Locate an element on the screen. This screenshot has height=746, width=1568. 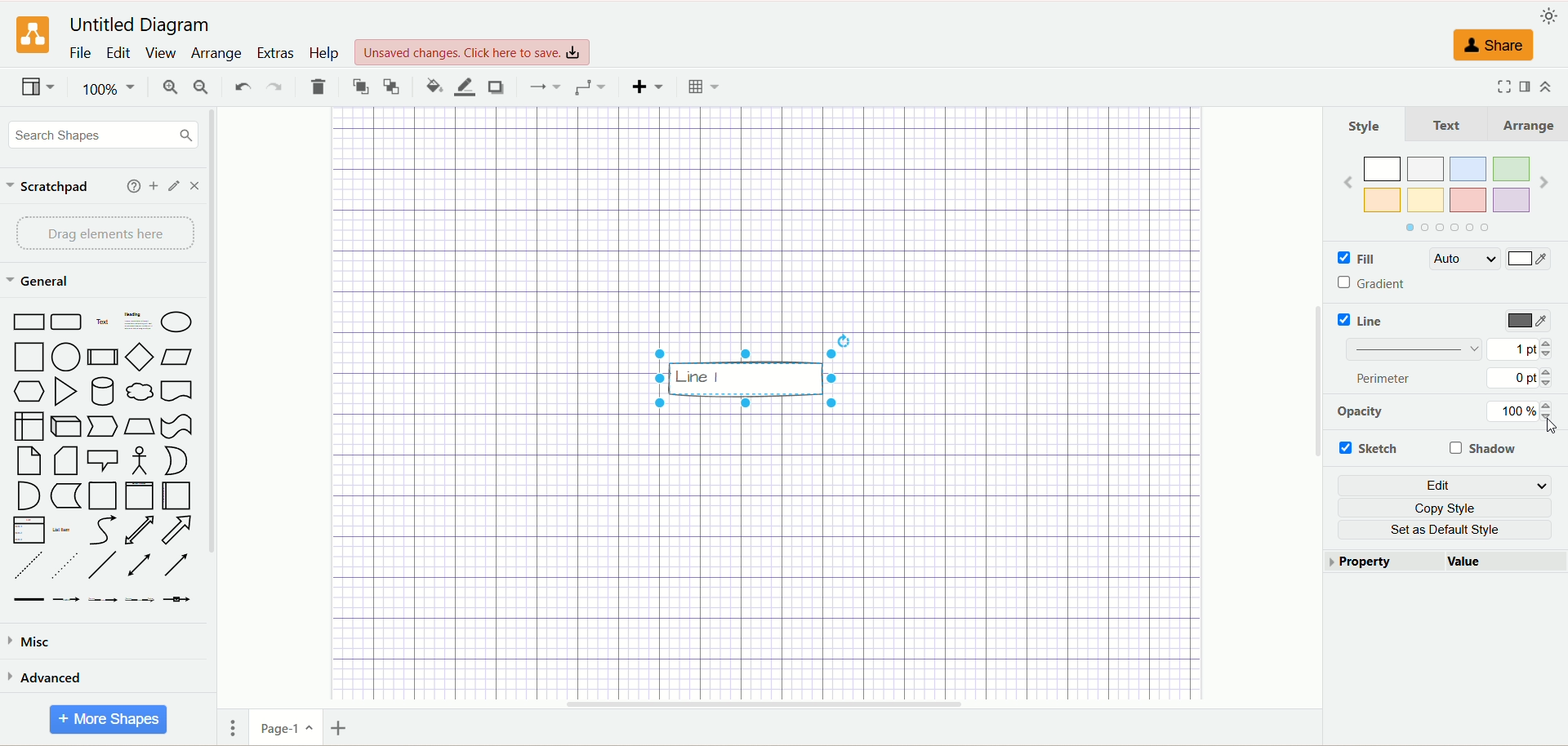
100% is located at coordinates (1522, 413).